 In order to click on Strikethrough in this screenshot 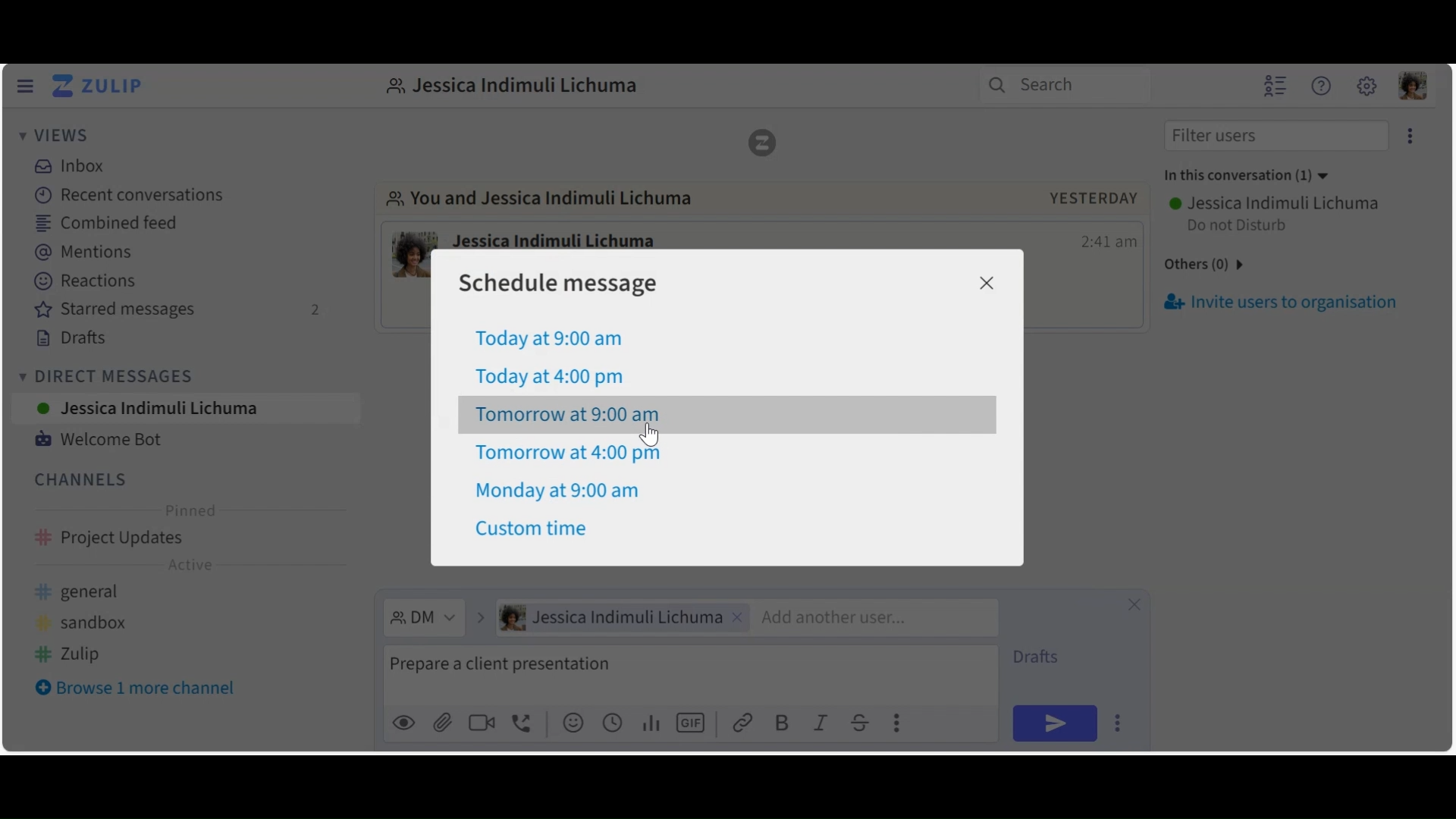, I will do `click(858, 723)`.